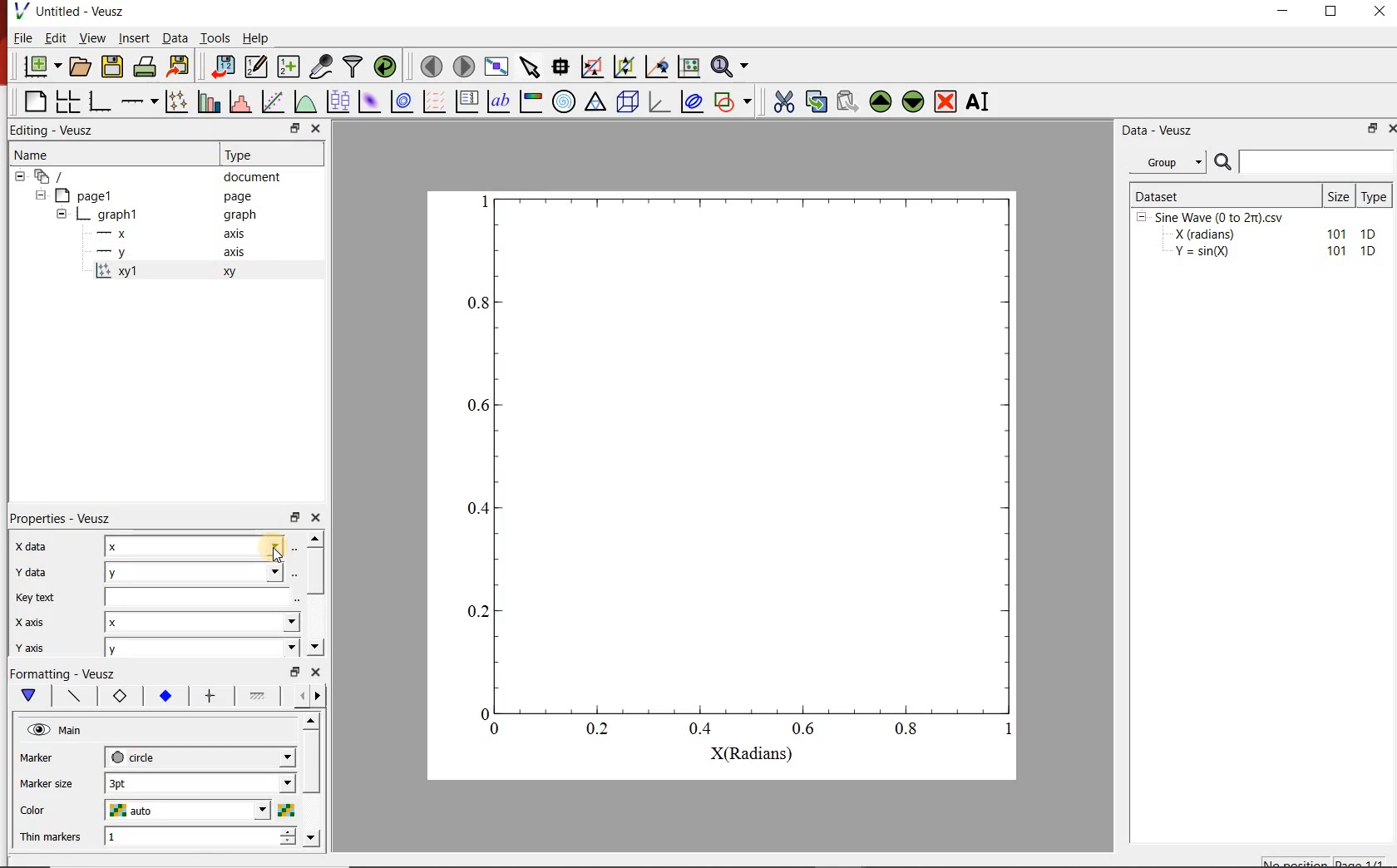 This screenshot has width=1397, height=868. Describe the element at coordinates (1325, 861) in the screenshot. I see `no positions` at that location.